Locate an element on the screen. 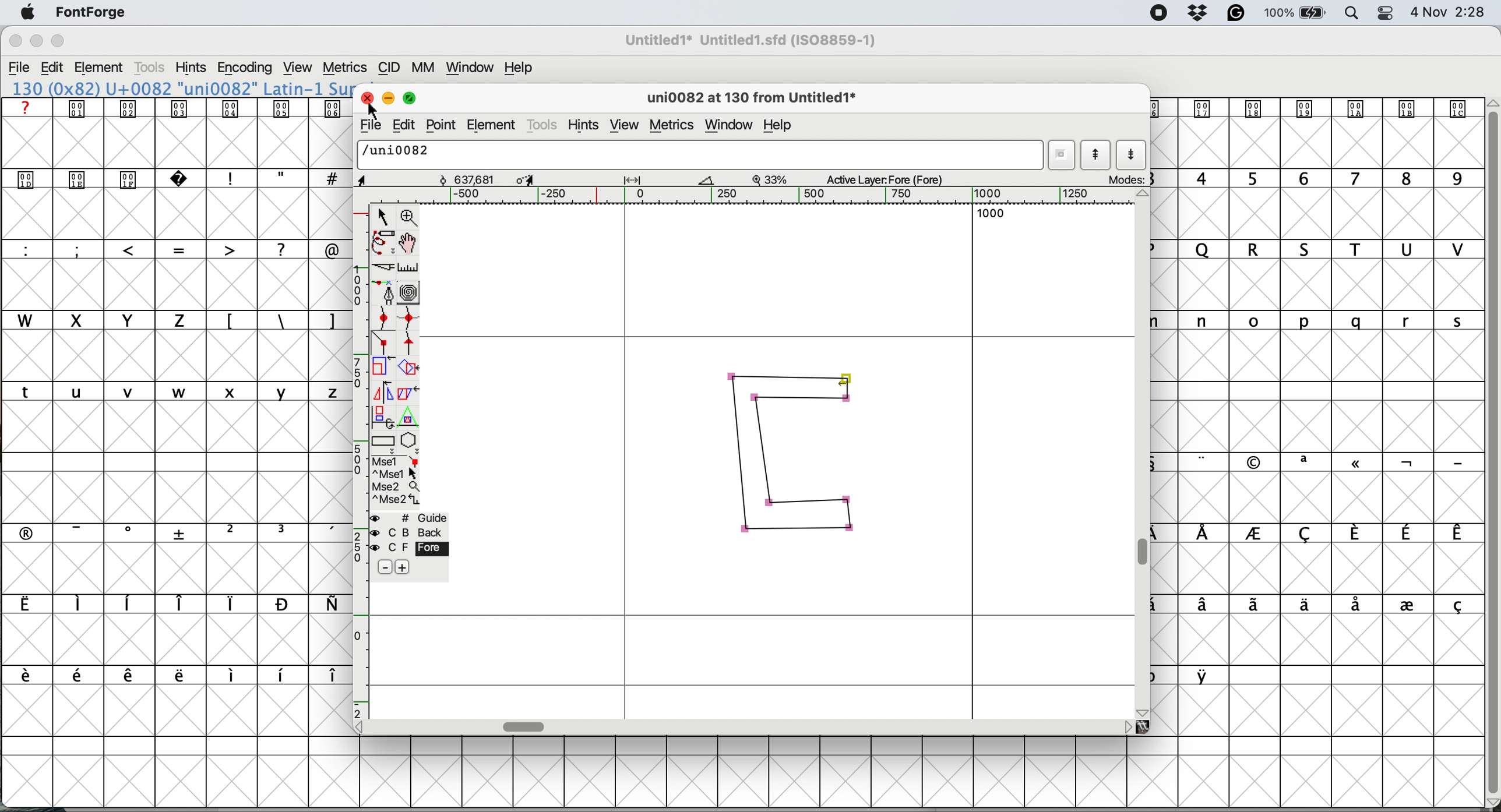  horizontal scroll bar is located at coordinates (526, 726).